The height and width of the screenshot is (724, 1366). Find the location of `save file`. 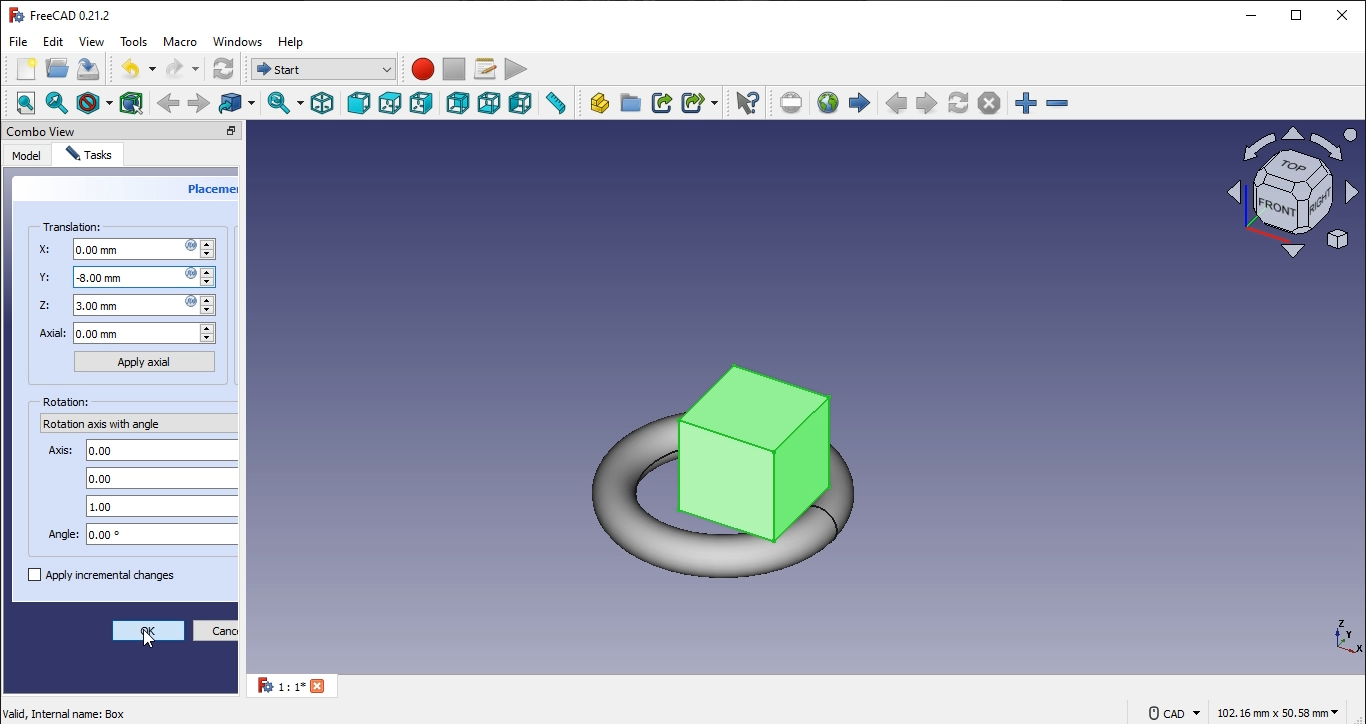

save file is located at coordinates (89, 69).